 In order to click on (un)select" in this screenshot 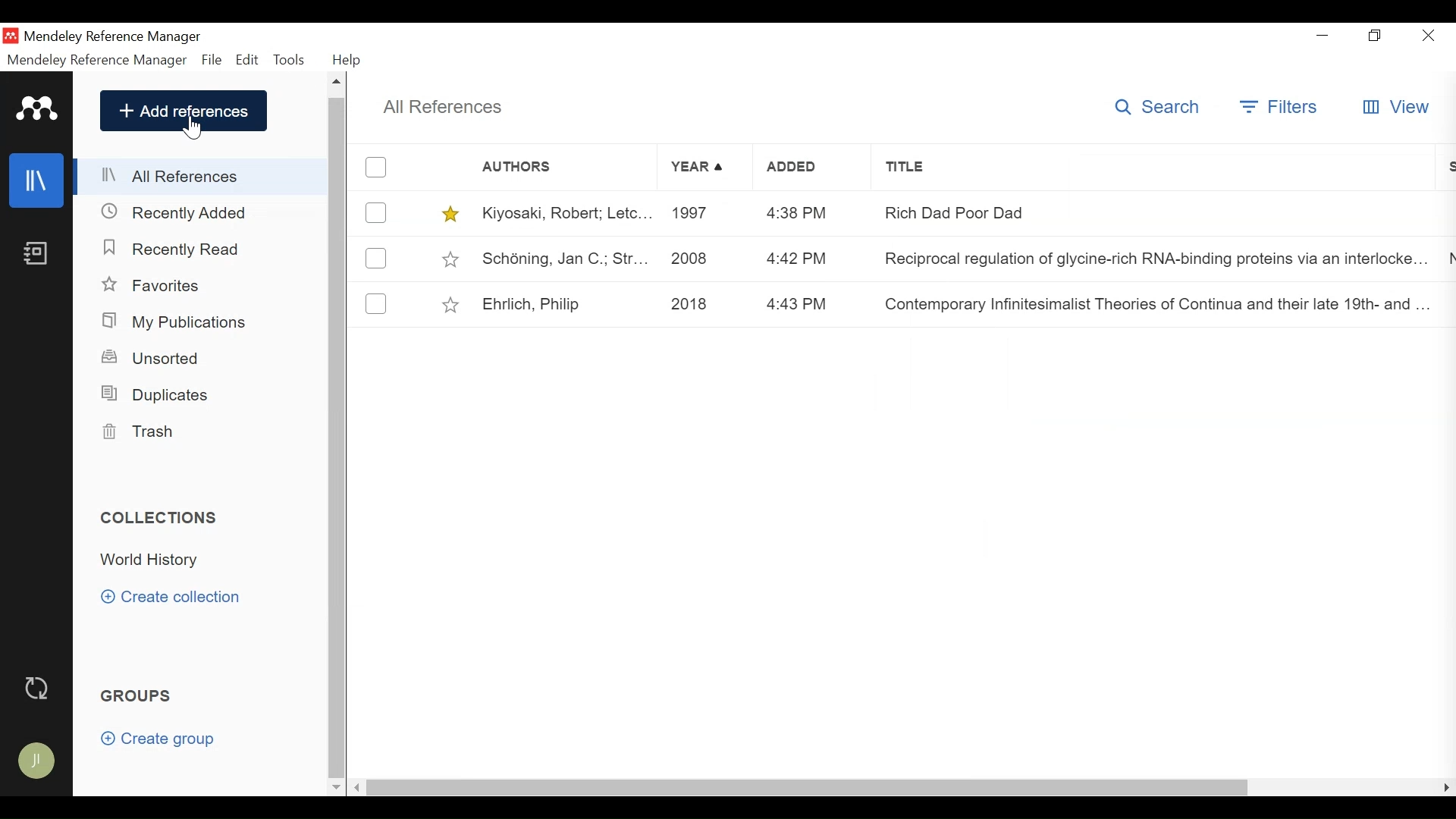, I will do `click(375, 212)`.